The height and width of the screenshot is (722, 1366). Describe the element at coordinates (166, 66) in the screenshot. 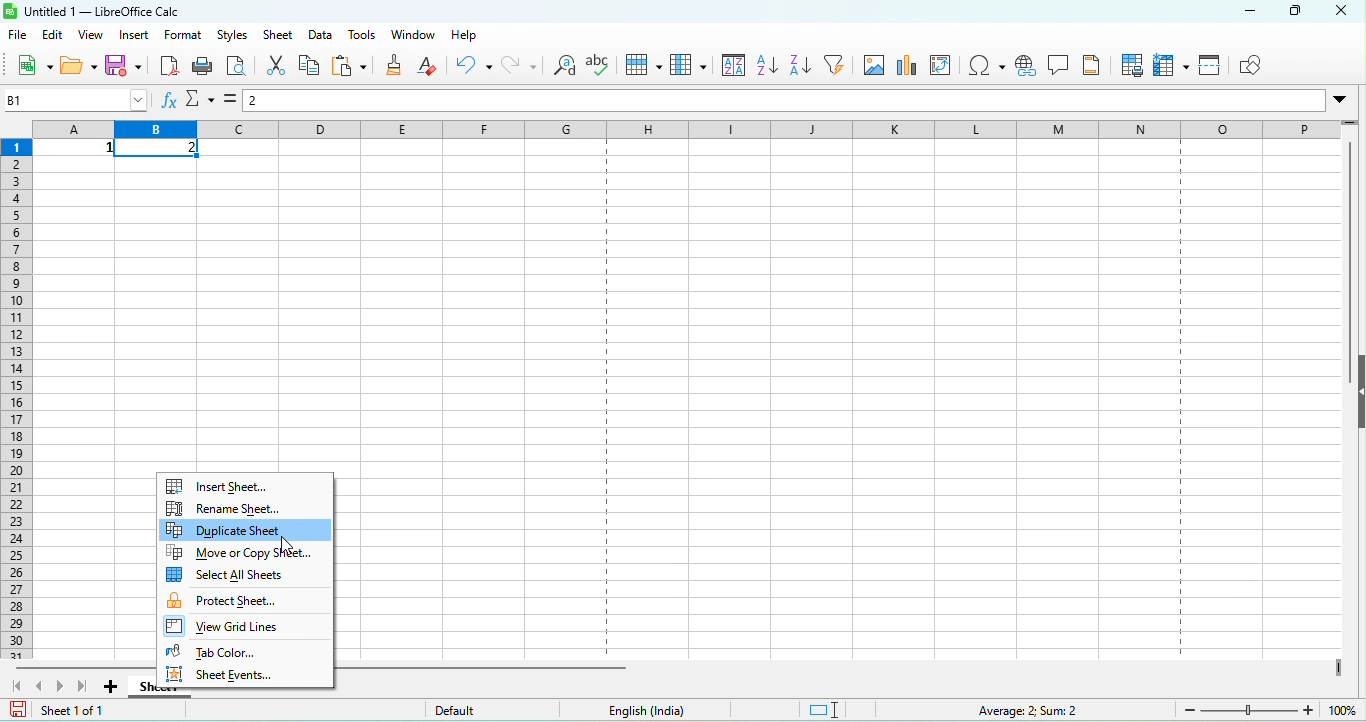

I see `export directly as pdf` at that location.